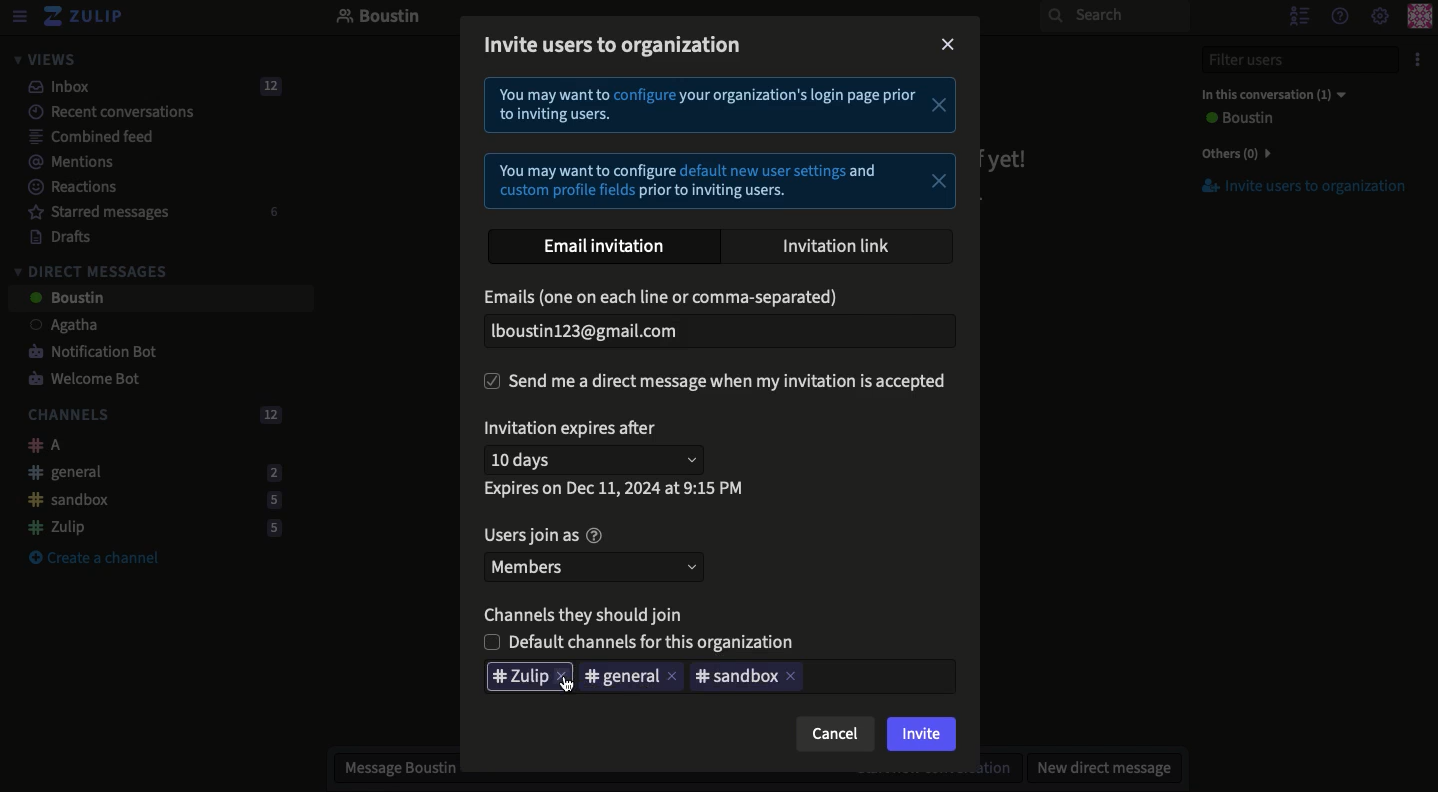  Describe the element at coordinates (575, 430) in the screenshot. I see `Invitation expires after` at that location.